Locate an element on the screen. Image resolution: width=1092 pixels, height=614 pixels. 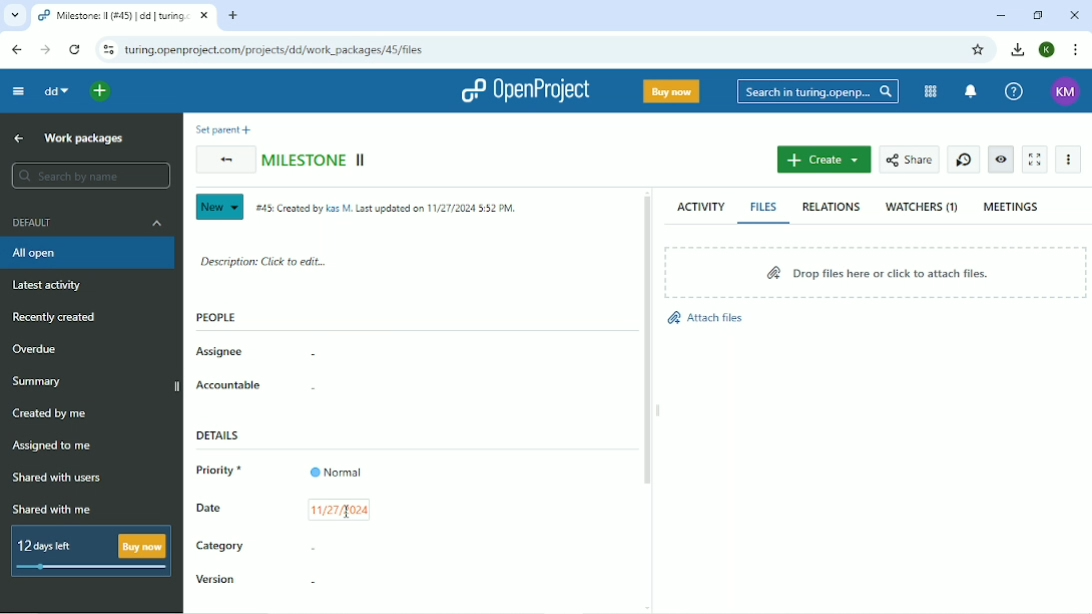
Search is located at coordinates (817, 92).